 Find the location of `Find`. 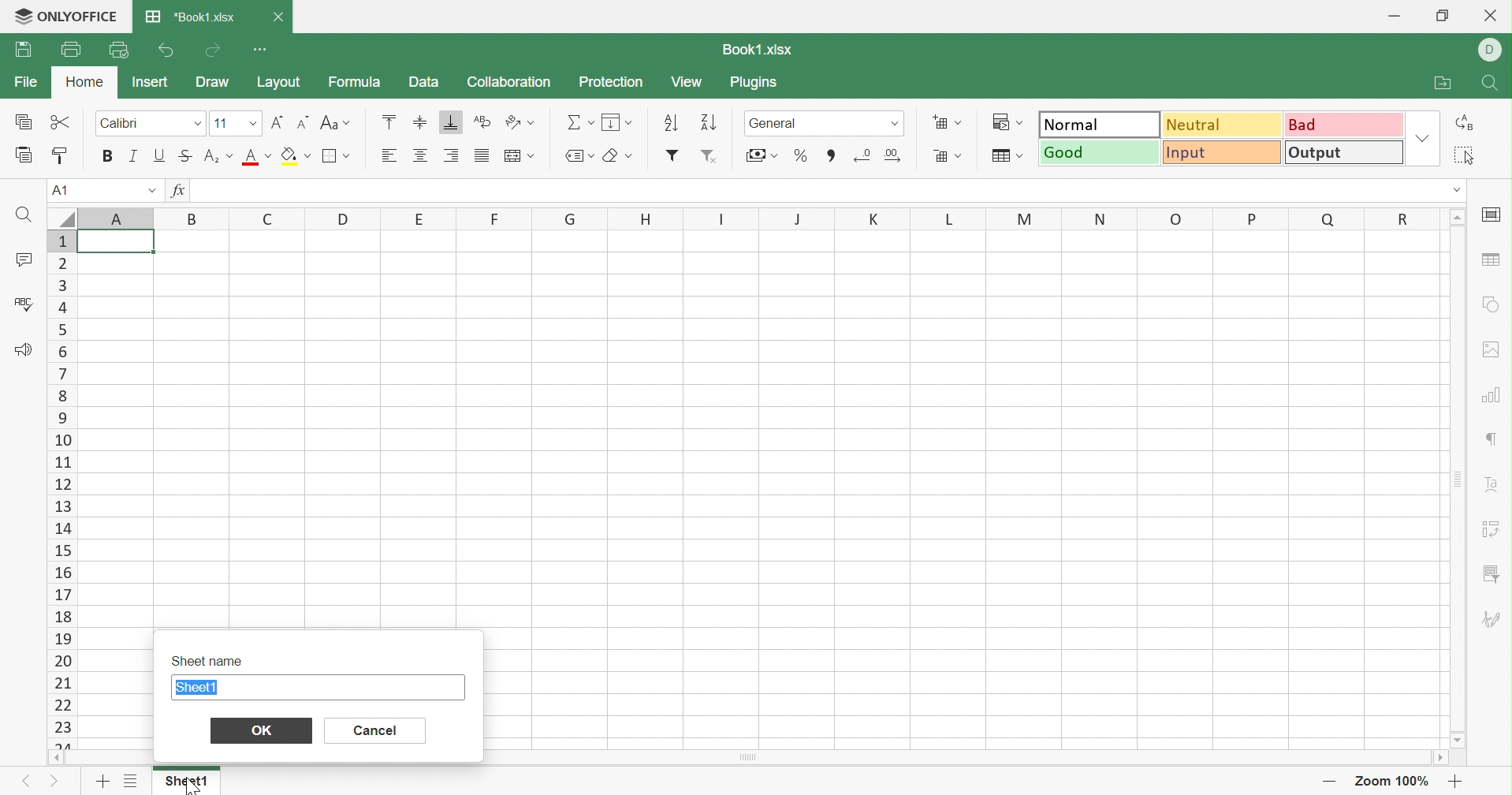

Find is located at coordinates (23, 215).